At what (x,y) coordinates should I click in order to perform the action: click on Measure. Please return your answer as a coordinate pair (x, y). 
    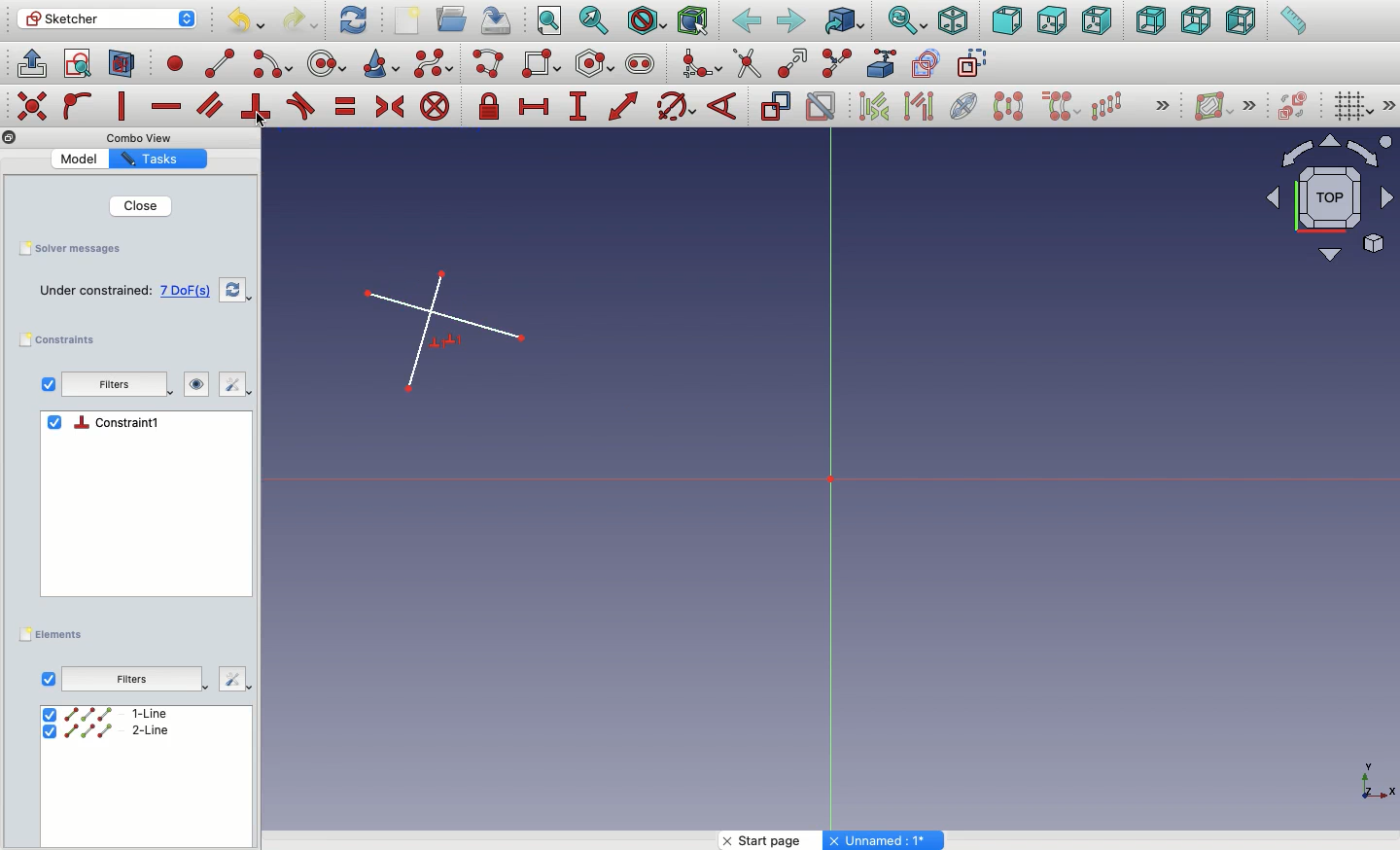
    Looking at the image, I should click on (1291, 22).